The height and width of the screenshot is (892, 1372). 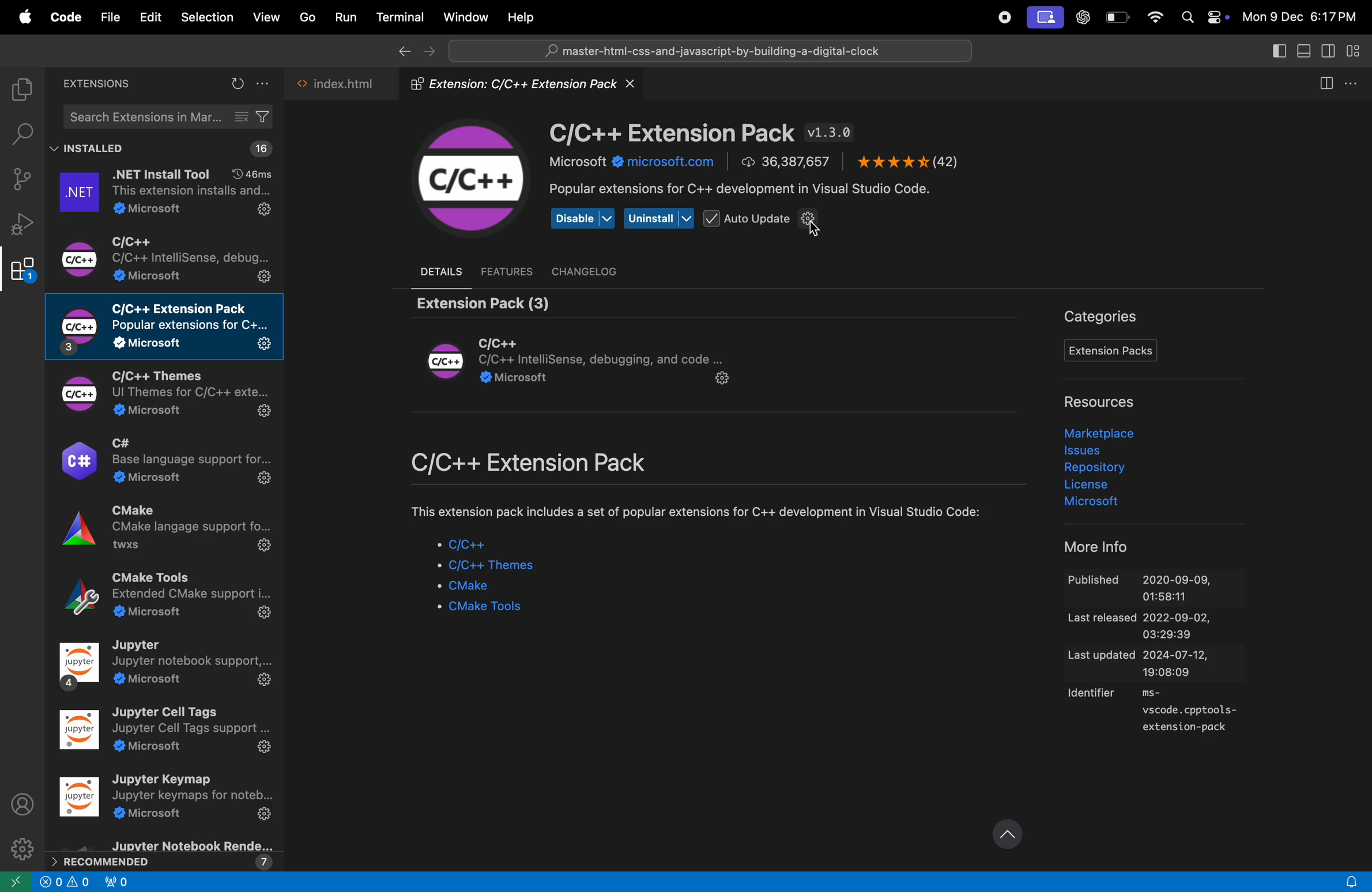 What do you see at coordinates (1098, 467) in the screenshot?
I see `Repository` at bounding box center [1098, 467].